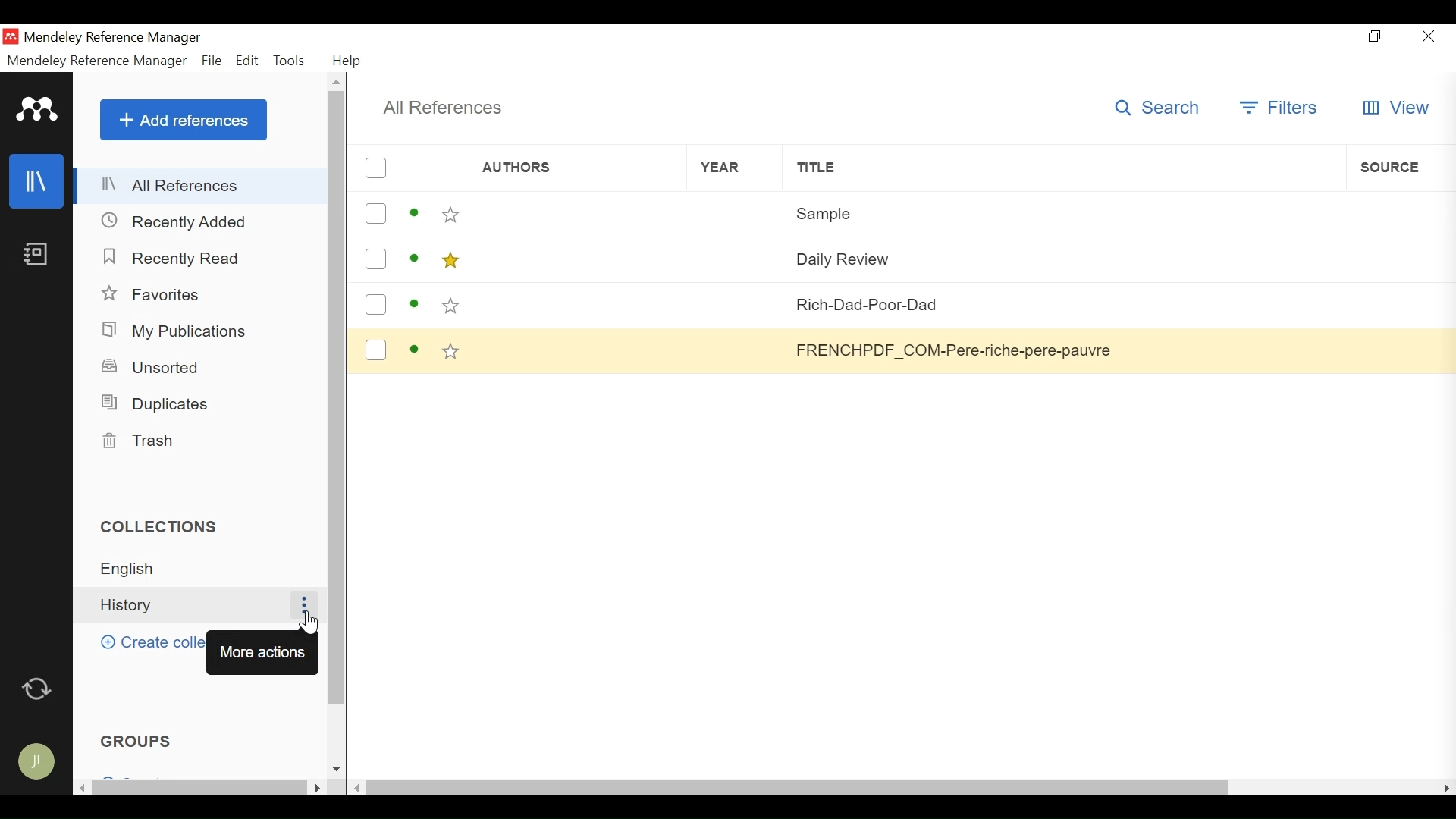 This screenshot has width=1456, height=819. What do you see at coordinates (449, 261) in the screenshot?
I see `Toggle favorites` at bounding box center [449, 261].